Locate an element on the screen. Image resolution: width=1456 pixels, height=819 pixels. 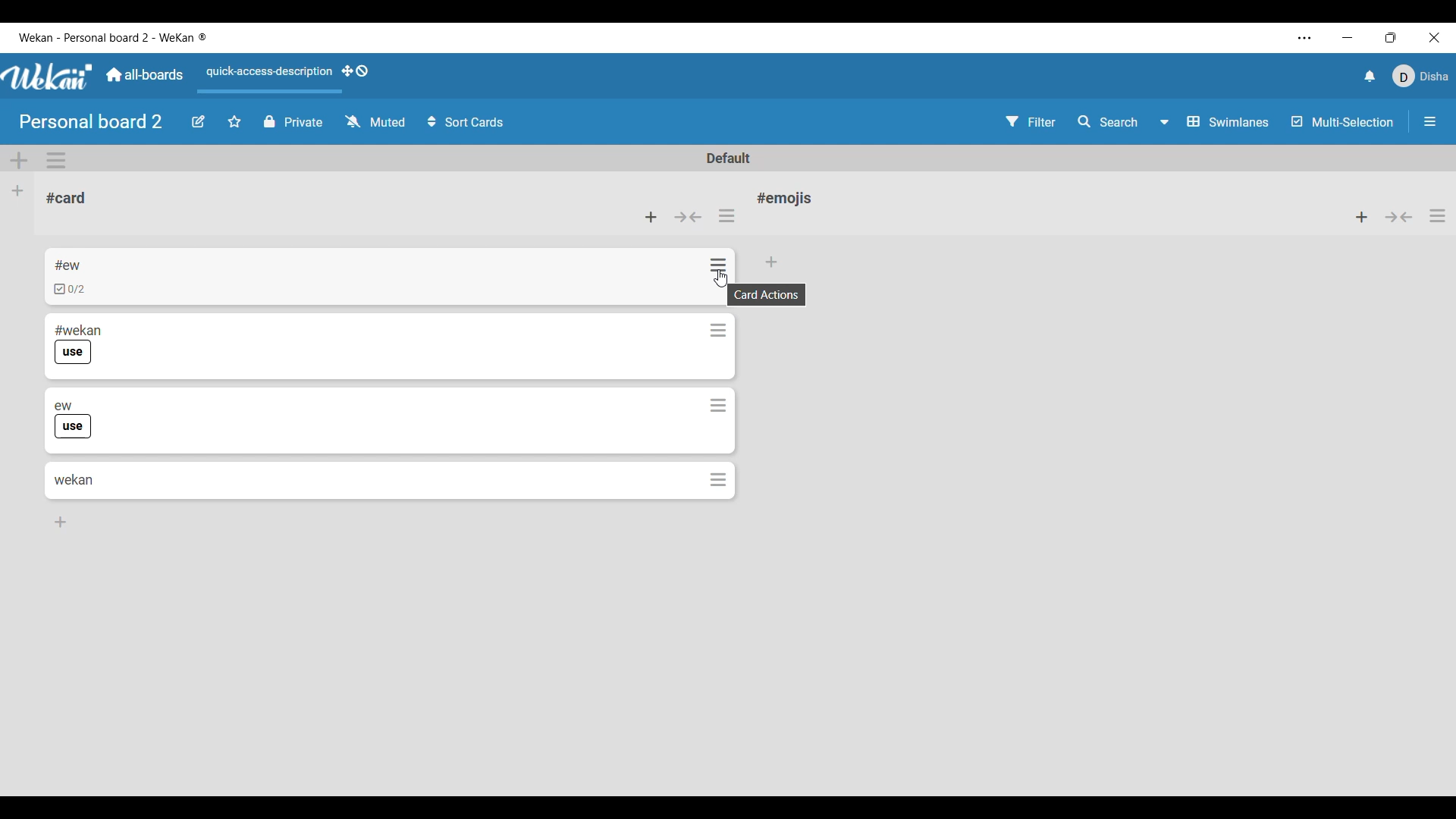
List actions is located at coordinates (726, 215).